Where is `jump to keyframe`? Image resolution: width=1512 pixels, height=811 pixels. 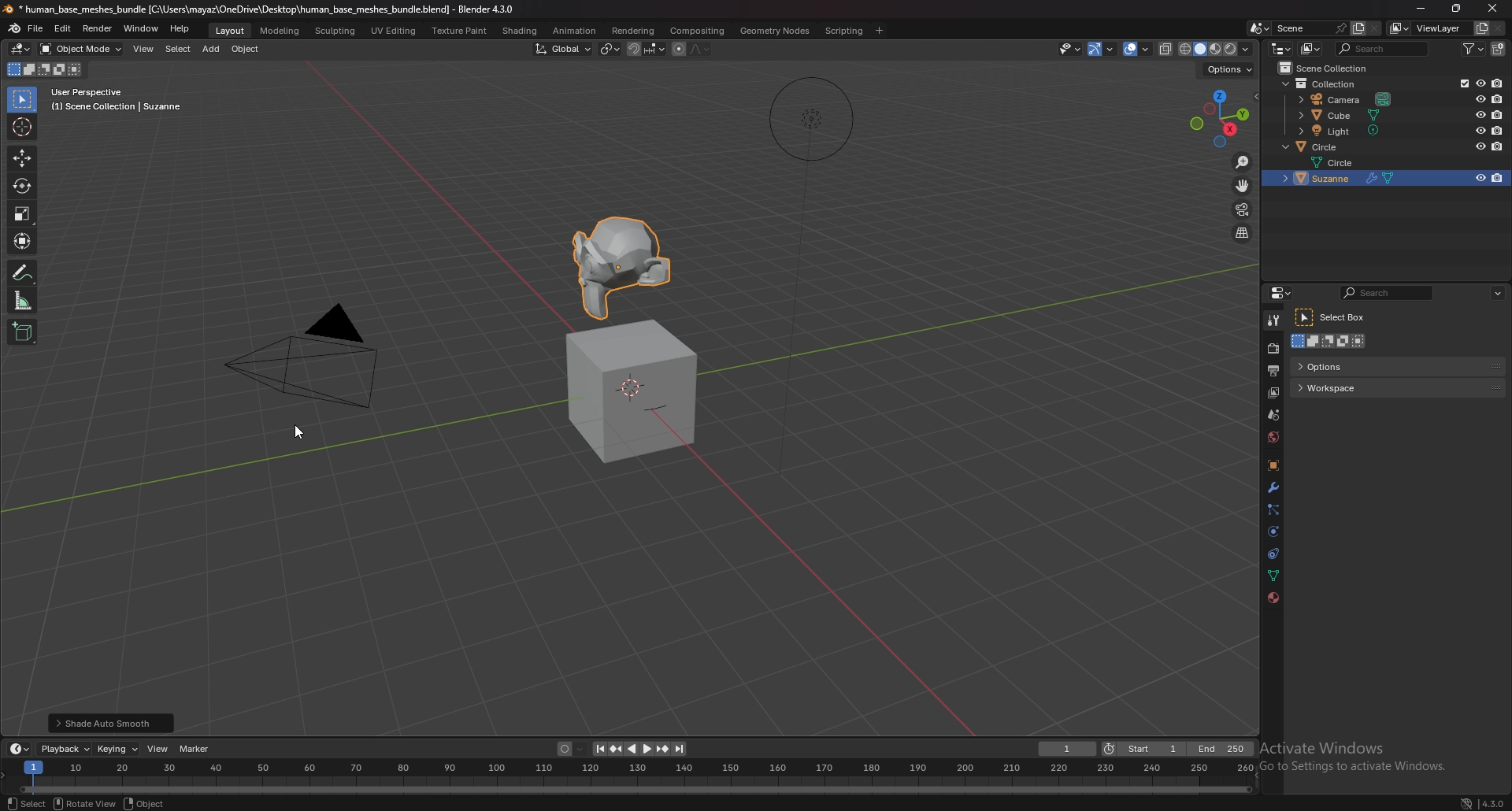 jump to keyframe is located at coordinates (661, 749).